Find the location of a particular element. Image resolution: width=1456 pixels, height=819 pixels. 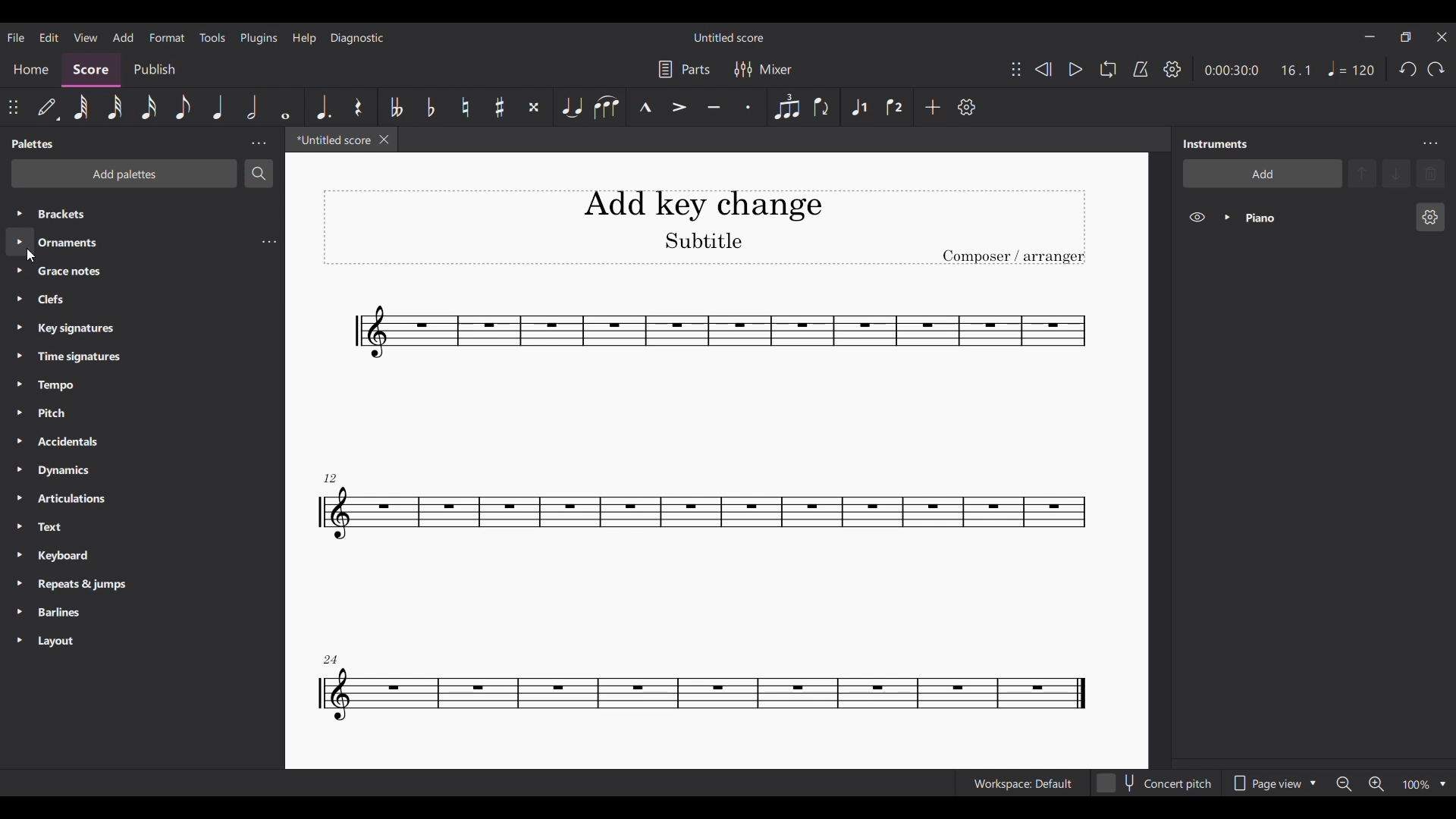

Current score is located at coordinates (701, 512).